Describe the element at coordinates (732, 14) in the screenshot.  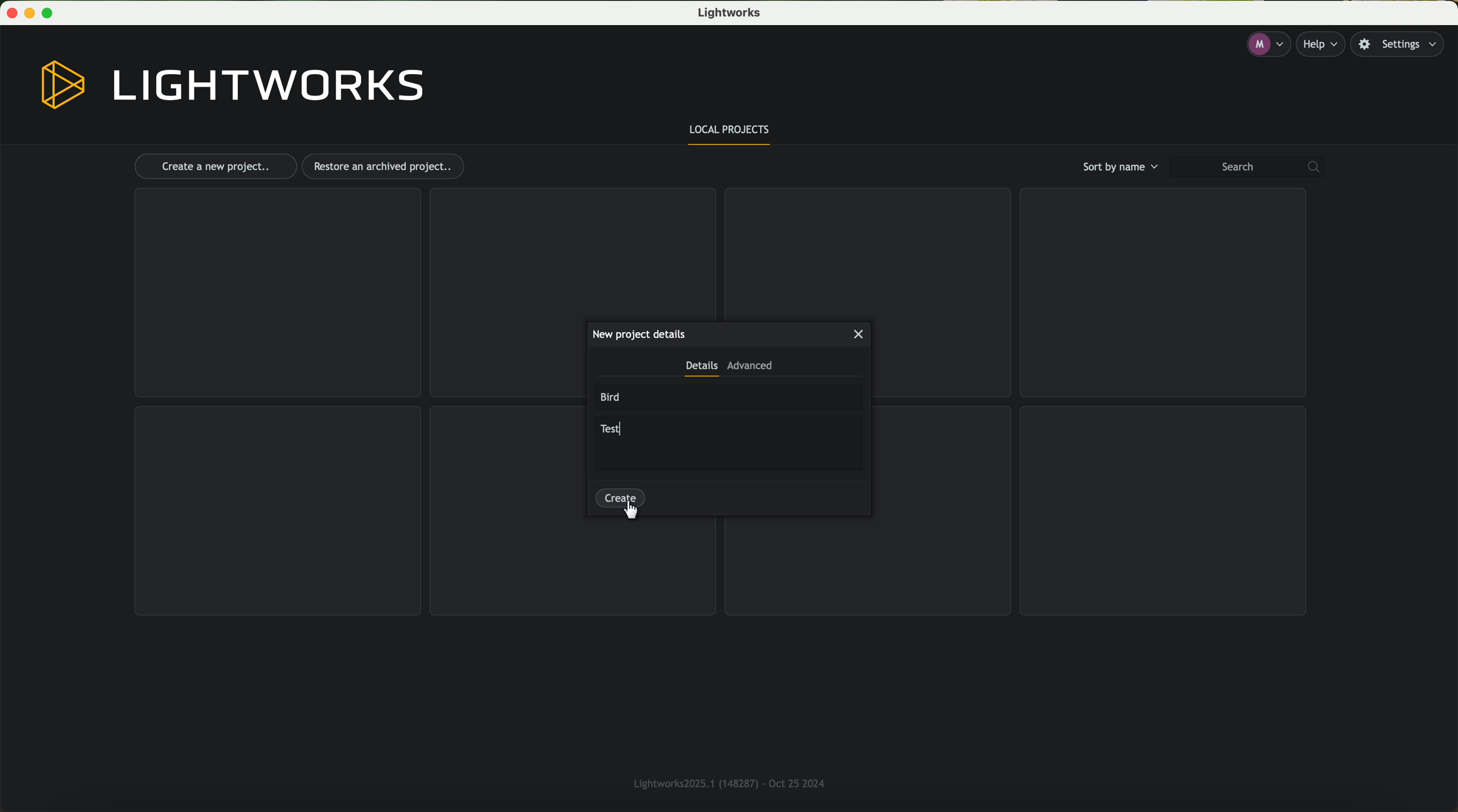
I see `Lightworks` at that location.